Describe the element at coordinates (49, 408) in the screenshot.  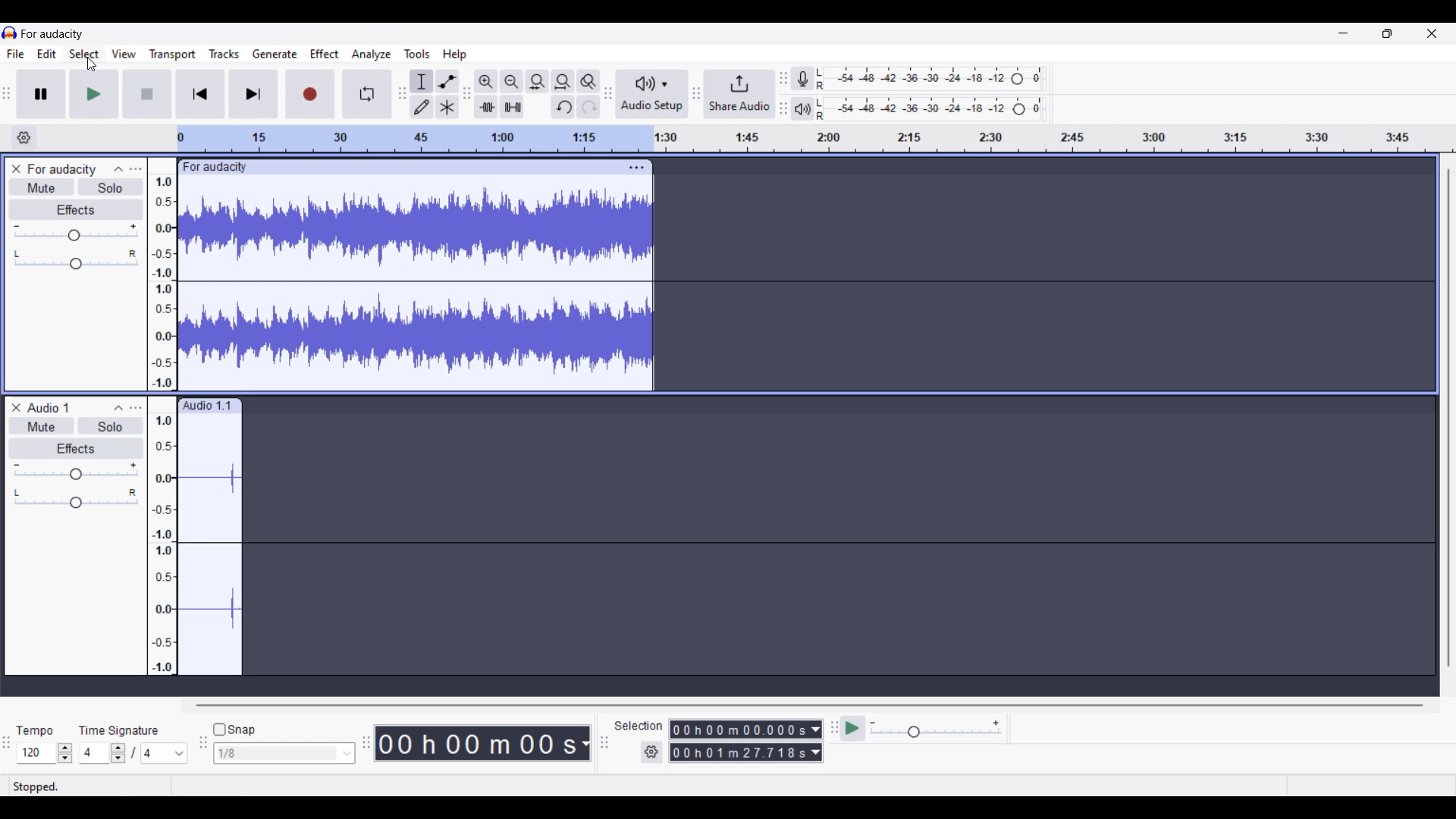
I see `audio 1` at that location.